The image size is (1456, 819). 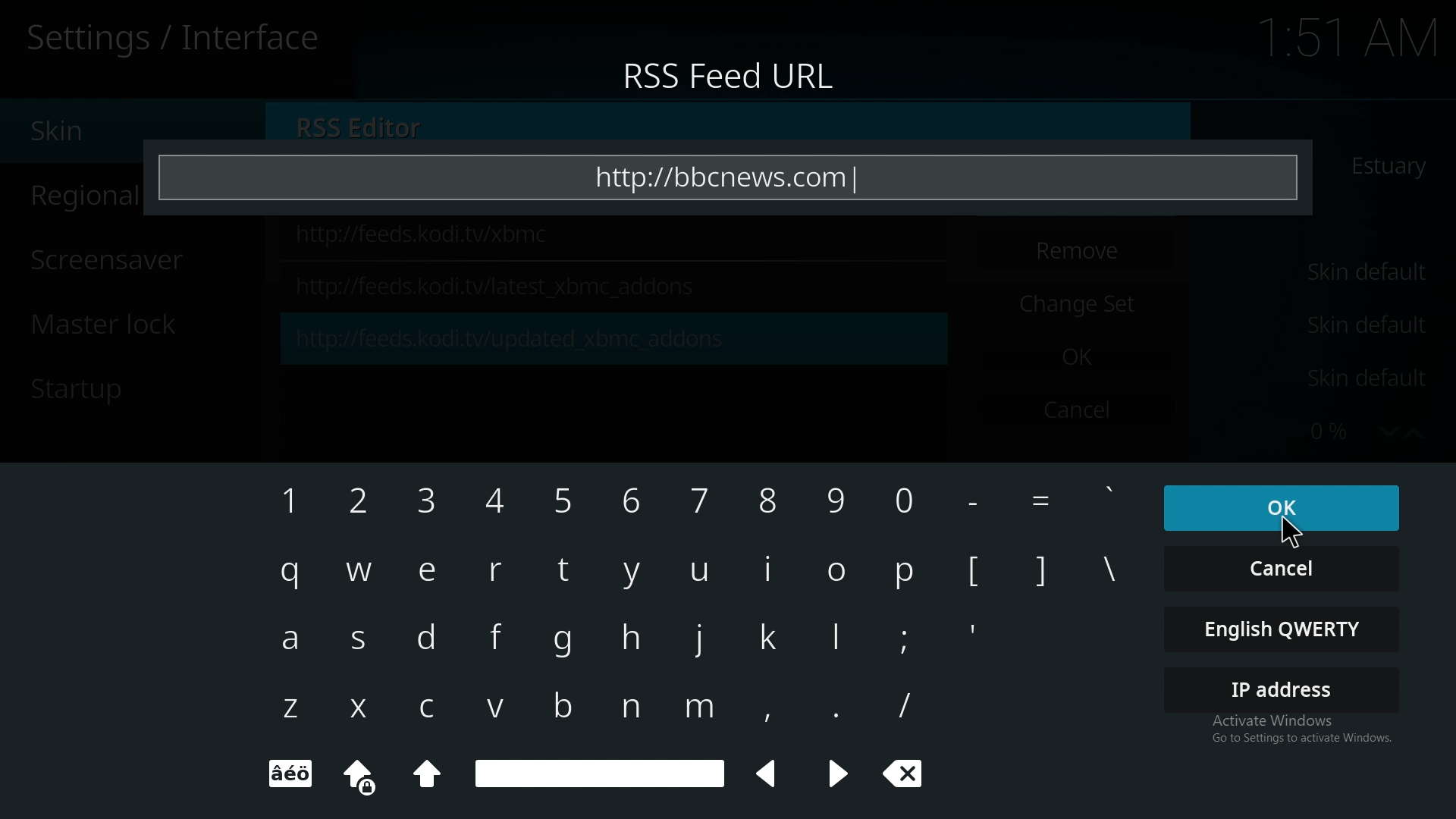 What do you see at coordinates (371, 780) in the screenshot?
I see `keyboard Input` at bounding box center [371, 780].